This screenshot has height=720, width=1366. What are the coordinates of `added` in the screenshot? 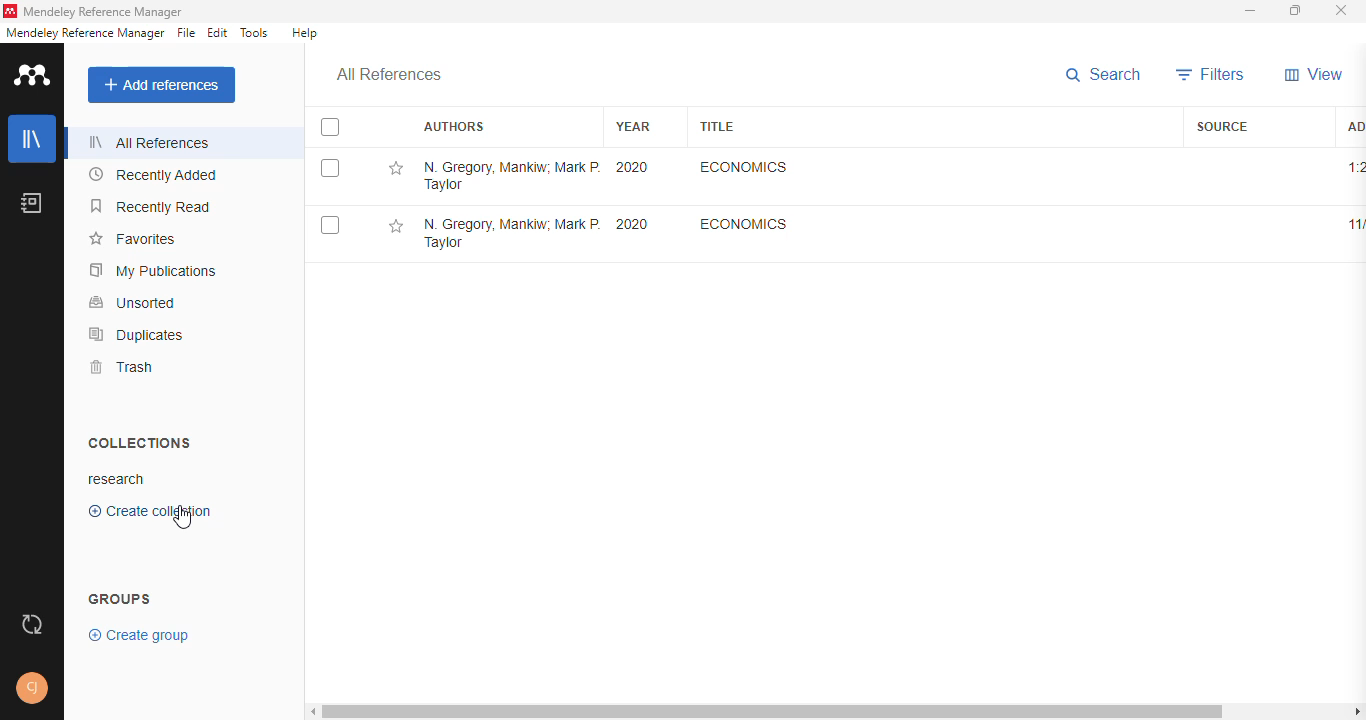 It's located at (1353, 125).